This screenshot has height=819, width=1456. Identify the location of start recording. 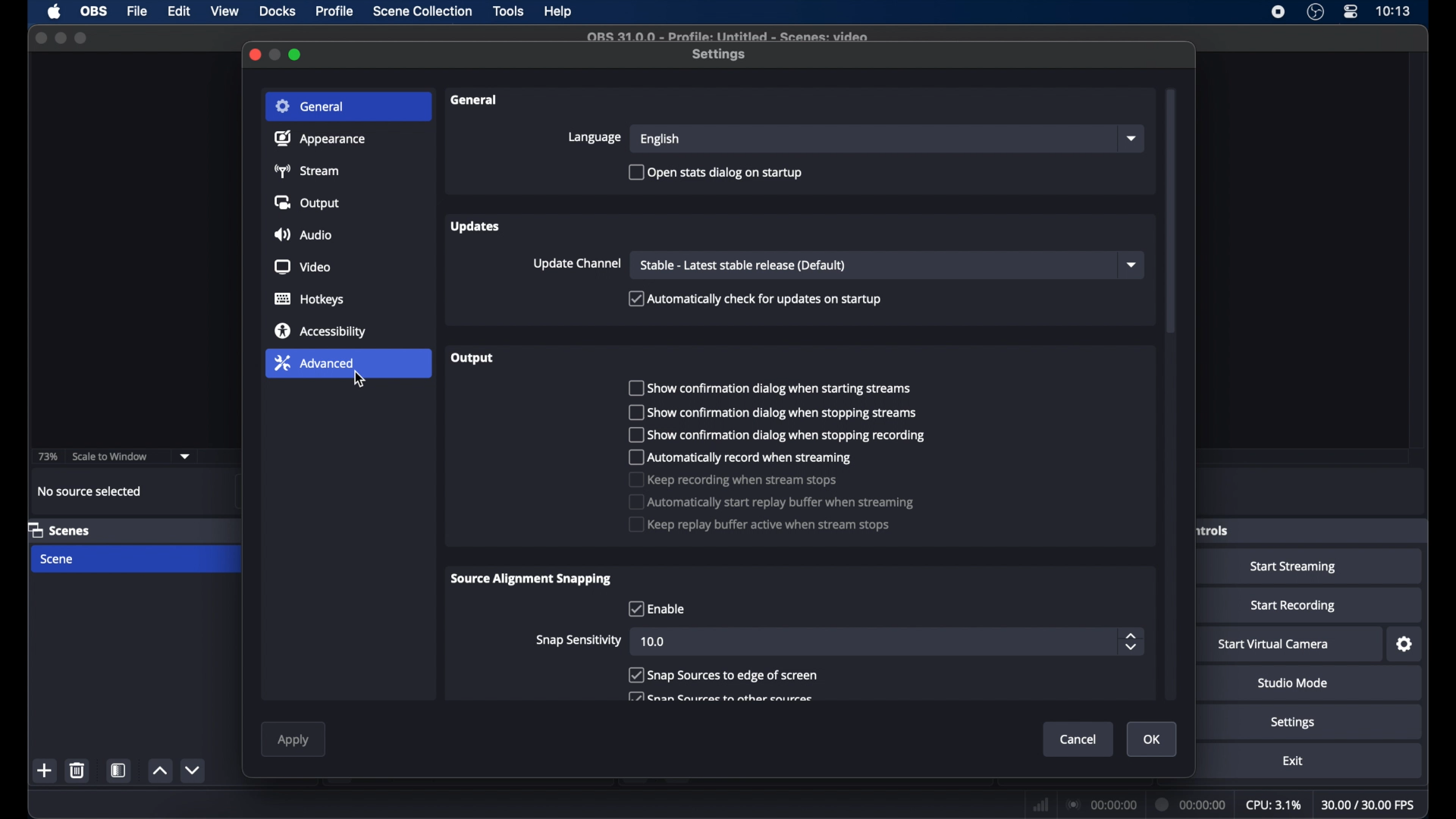
(1294, 606).